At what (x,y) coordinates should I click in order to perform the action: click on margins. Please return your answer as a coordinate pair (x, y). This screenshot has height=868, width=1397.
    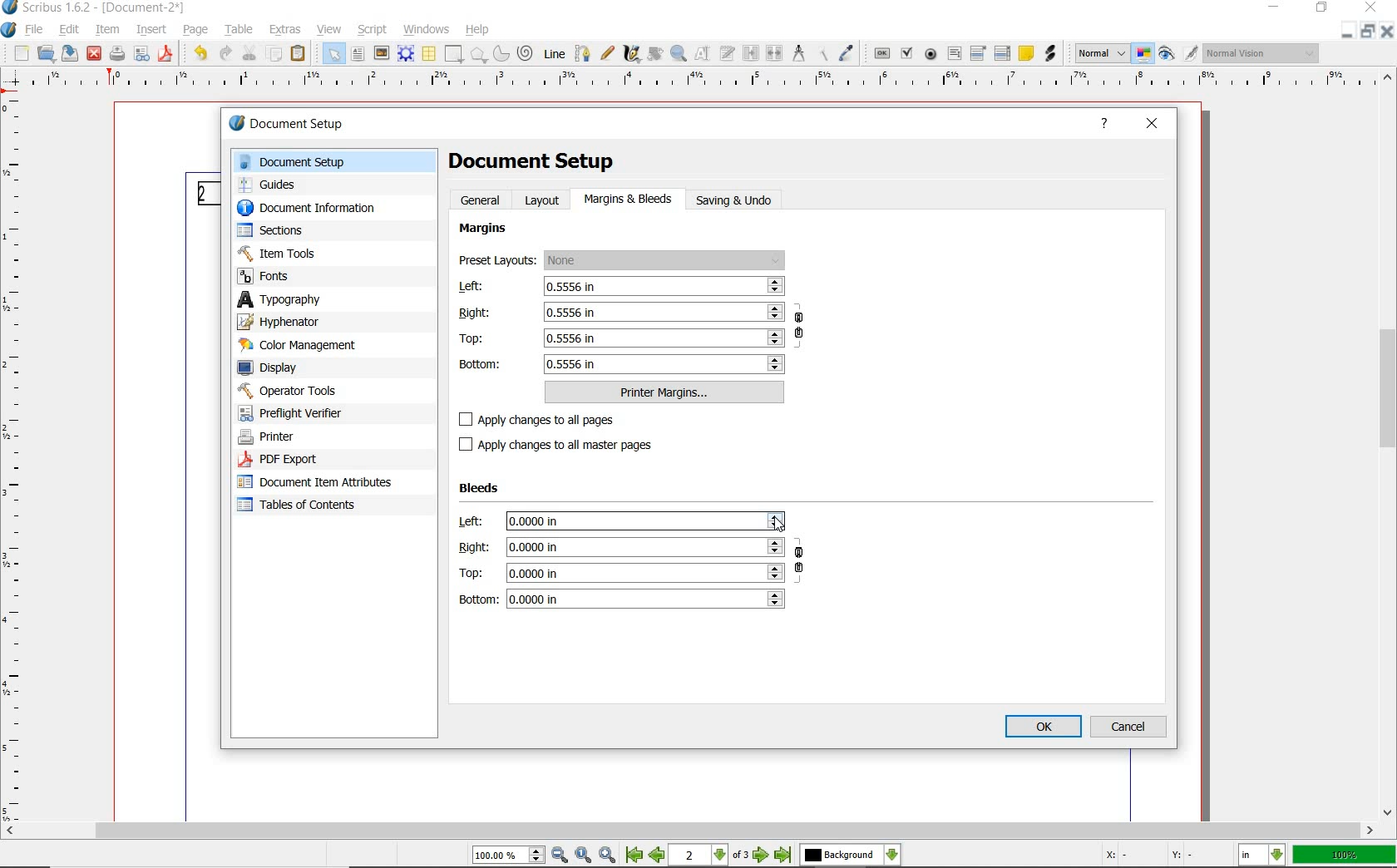
    Looking at the image, I should click on (486, 229).